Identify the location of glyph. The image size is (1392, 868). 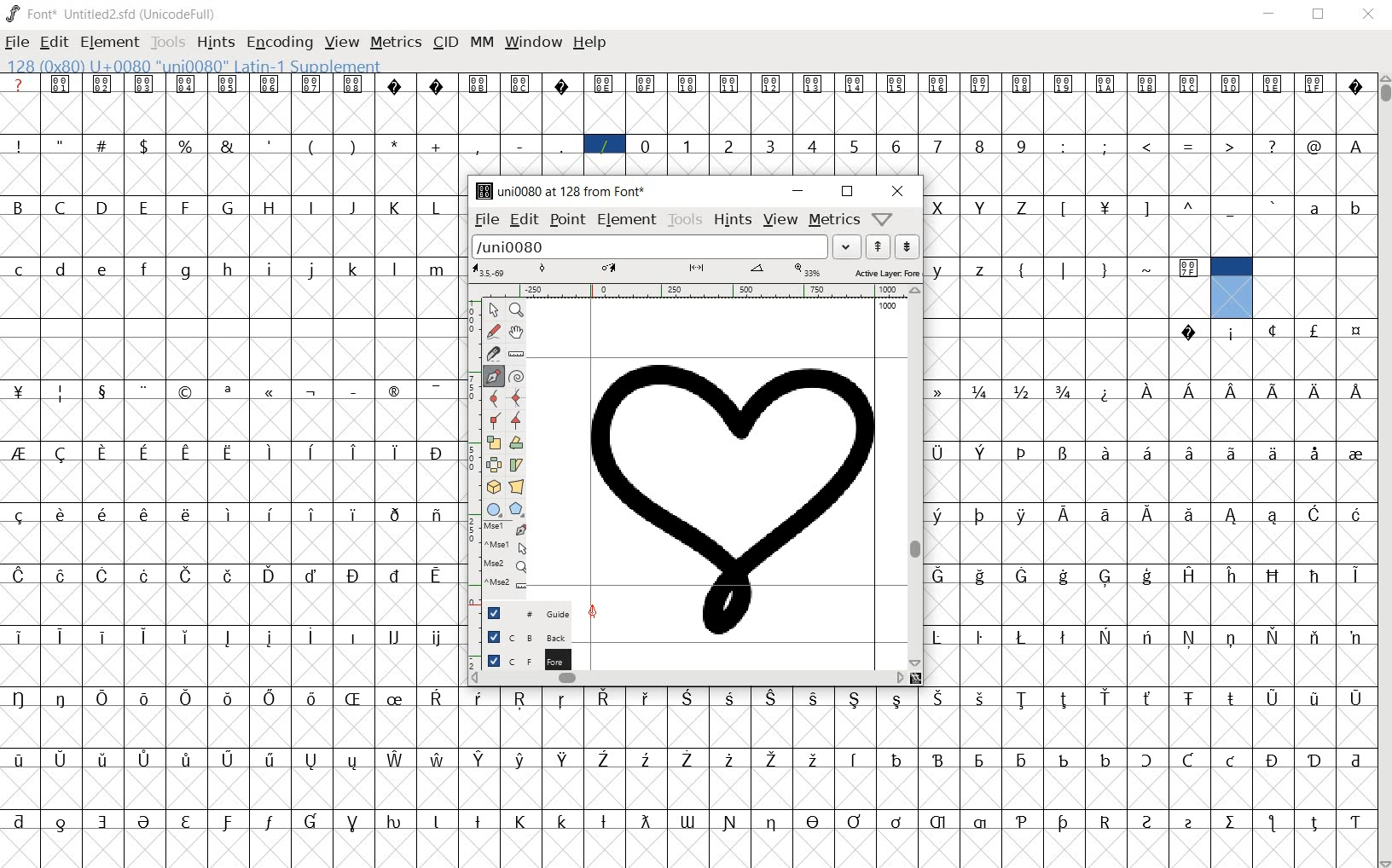
(1274, 205).